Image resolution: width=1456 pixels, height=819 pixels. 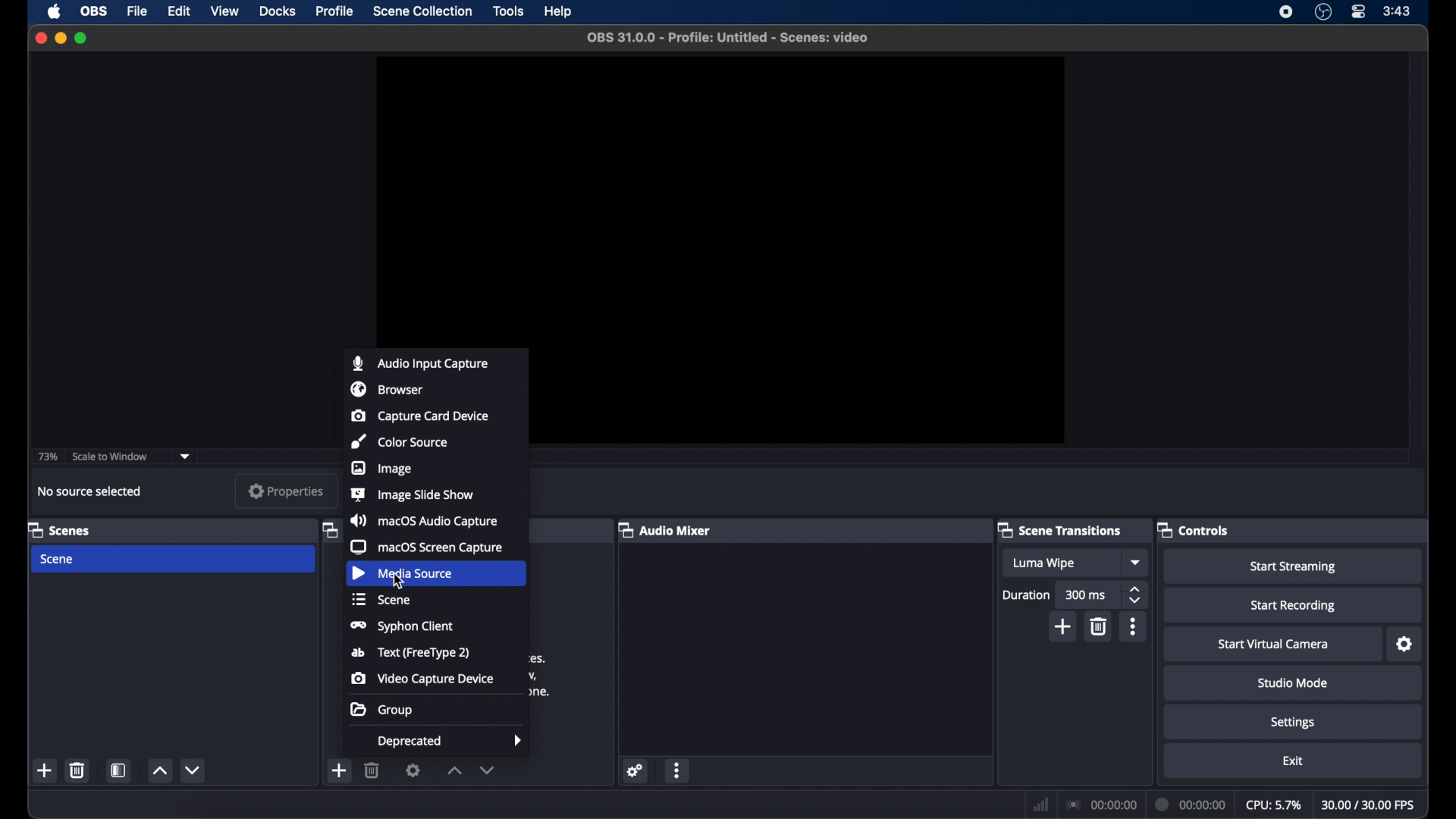 What do you see at coordinates (426, 547) in the screenshot?
I see `macOS screen capture` at bounding box center [426, 547].